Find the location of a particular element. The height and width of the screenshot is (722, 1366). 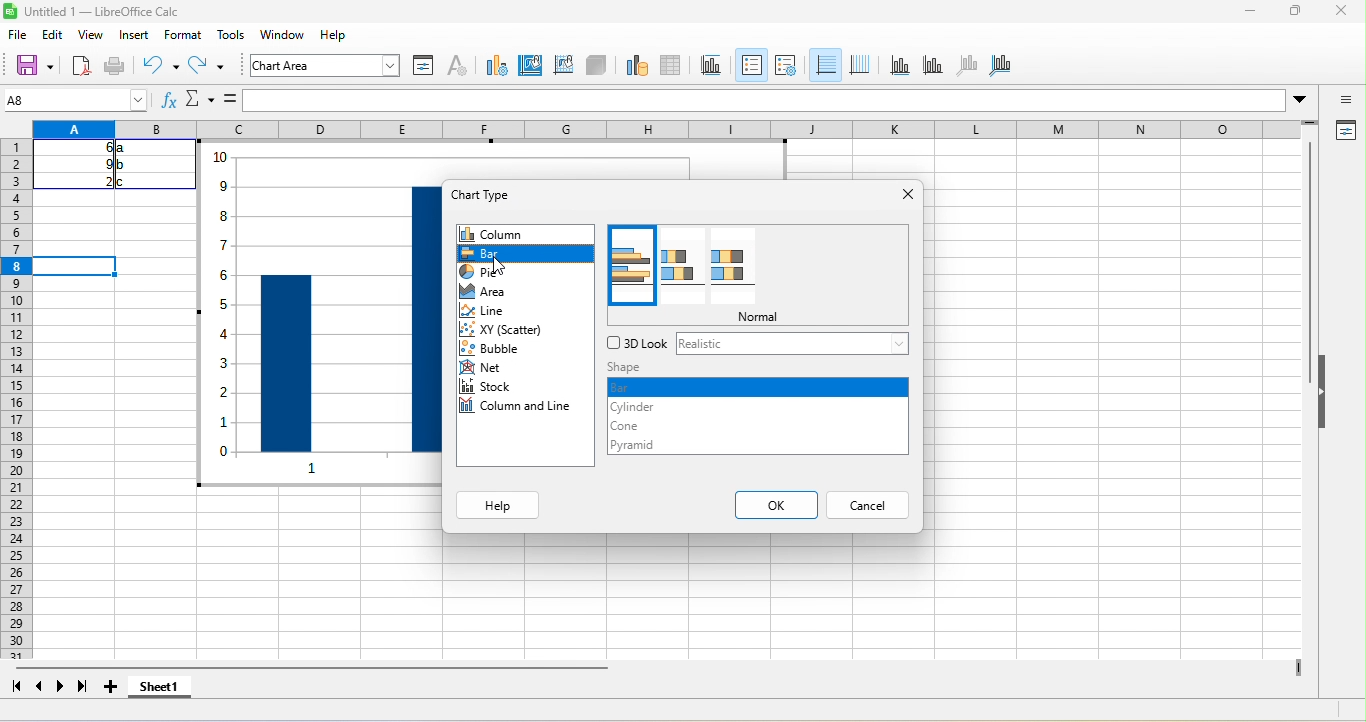

hide is located at coordinates (1326, 398).